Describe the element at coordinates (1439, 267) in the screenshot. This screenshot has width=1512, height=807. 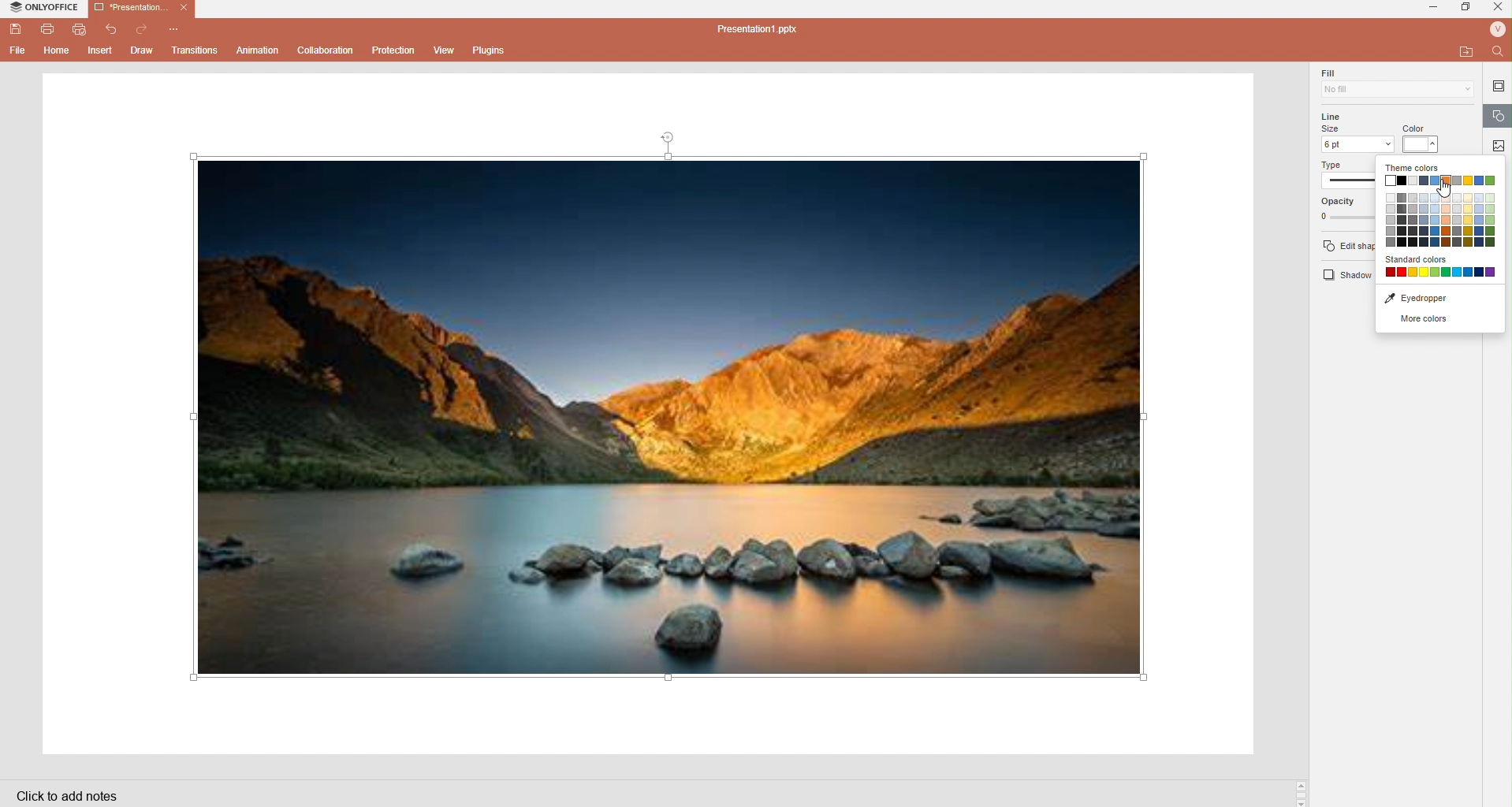
I see `Standard colors` at that location.